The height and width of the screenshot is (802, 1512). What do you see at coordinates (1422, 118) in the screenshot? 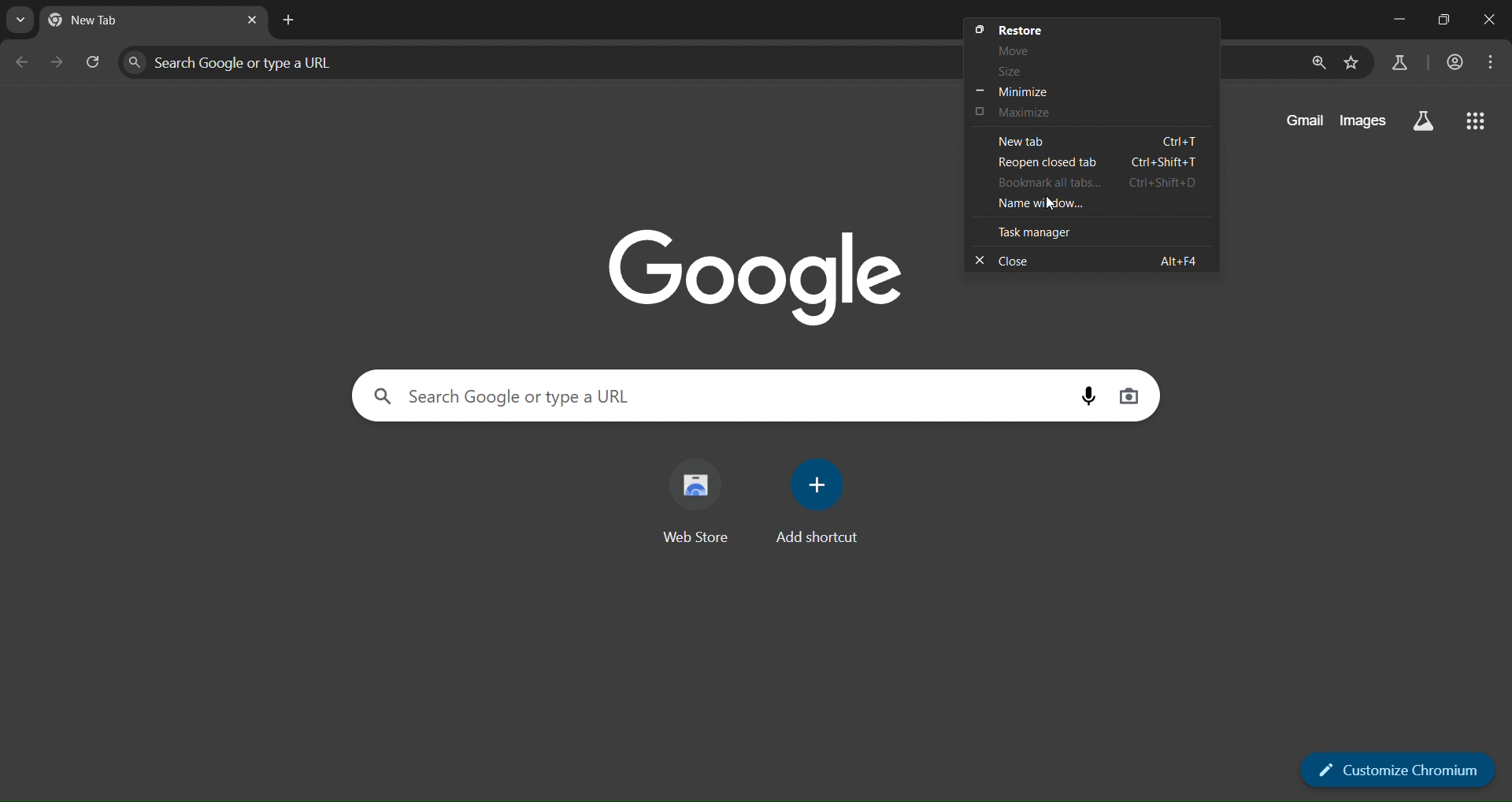
I see `search labs` at bounding box center [1422, 118].